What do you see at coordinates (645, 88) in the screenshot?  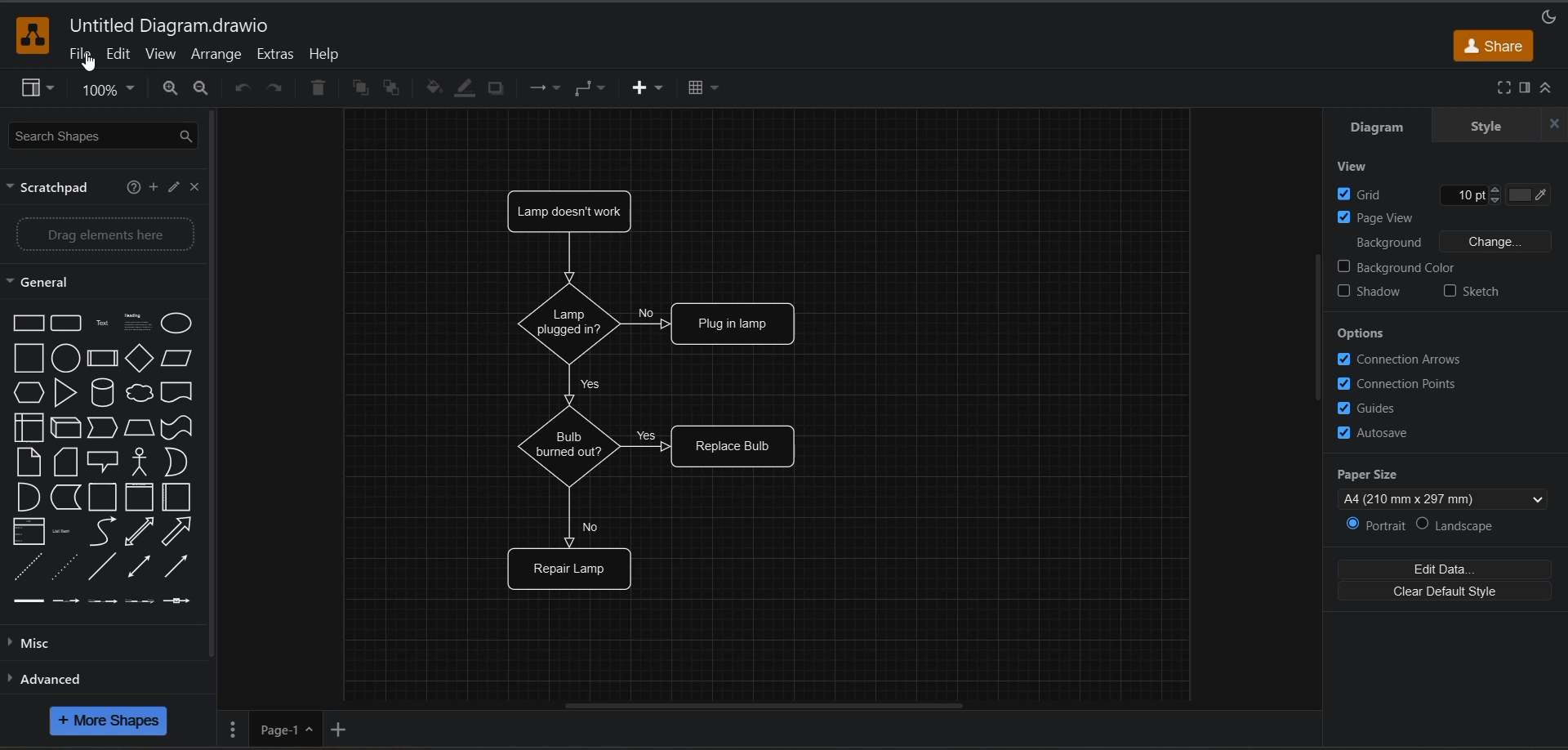 I see `insert` at bounding box center [645, 88].